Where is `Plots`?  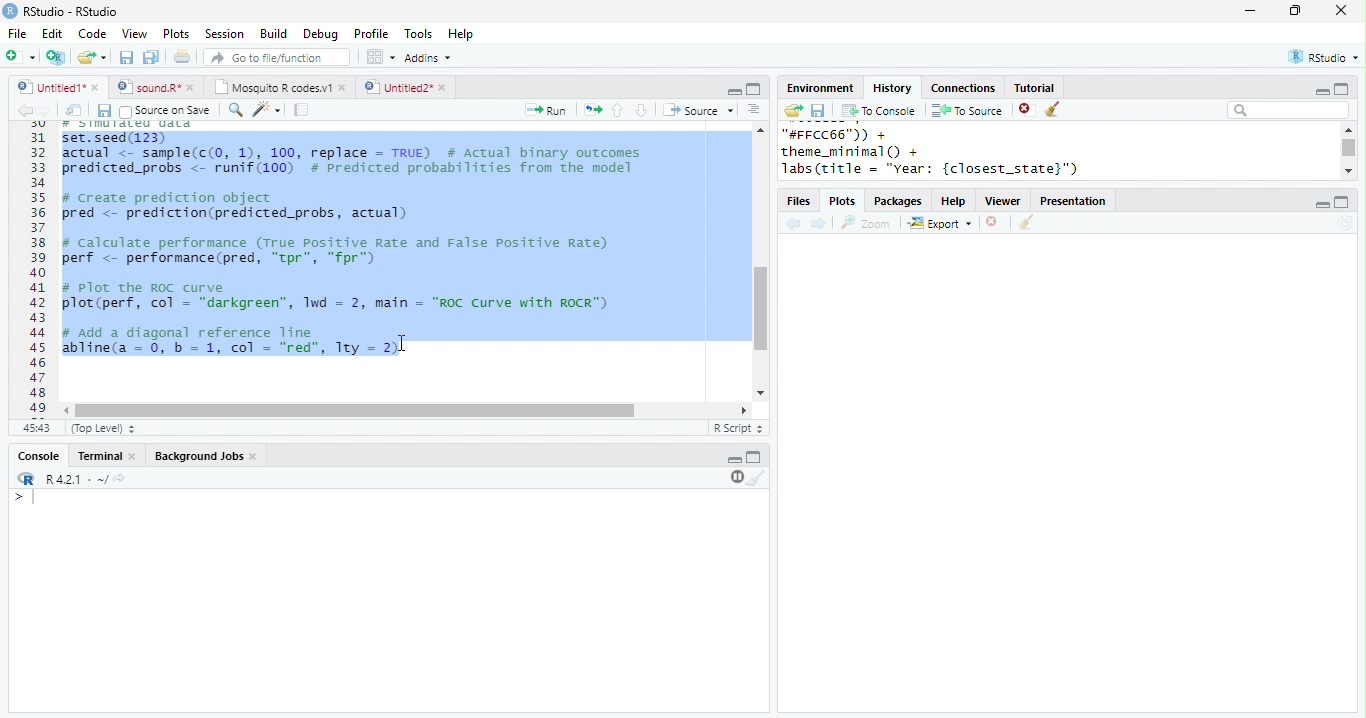 Plots is located at coordinates (844, 202).